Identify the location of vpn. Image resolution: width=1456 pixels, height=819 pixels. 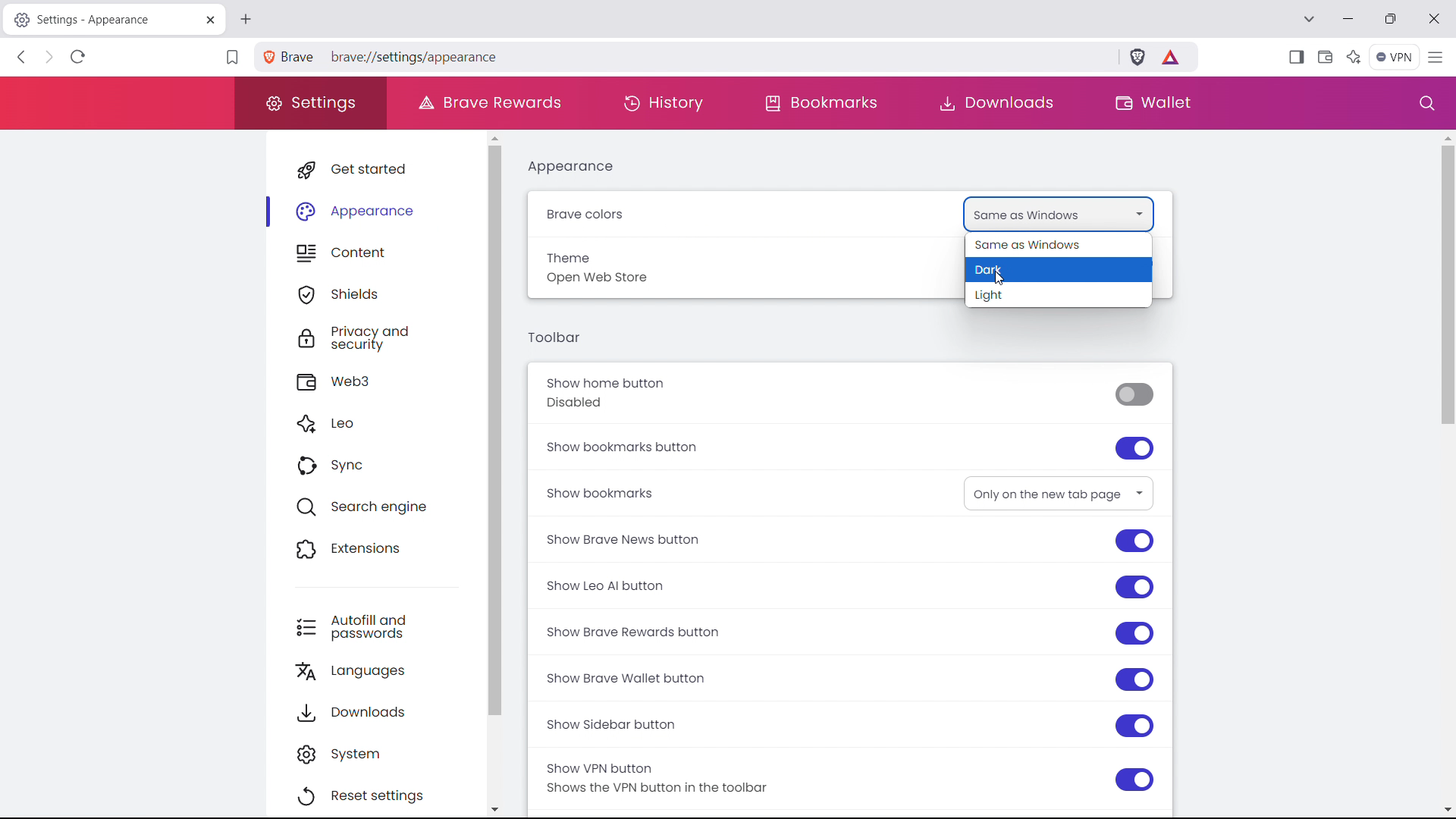
(1395, 56).